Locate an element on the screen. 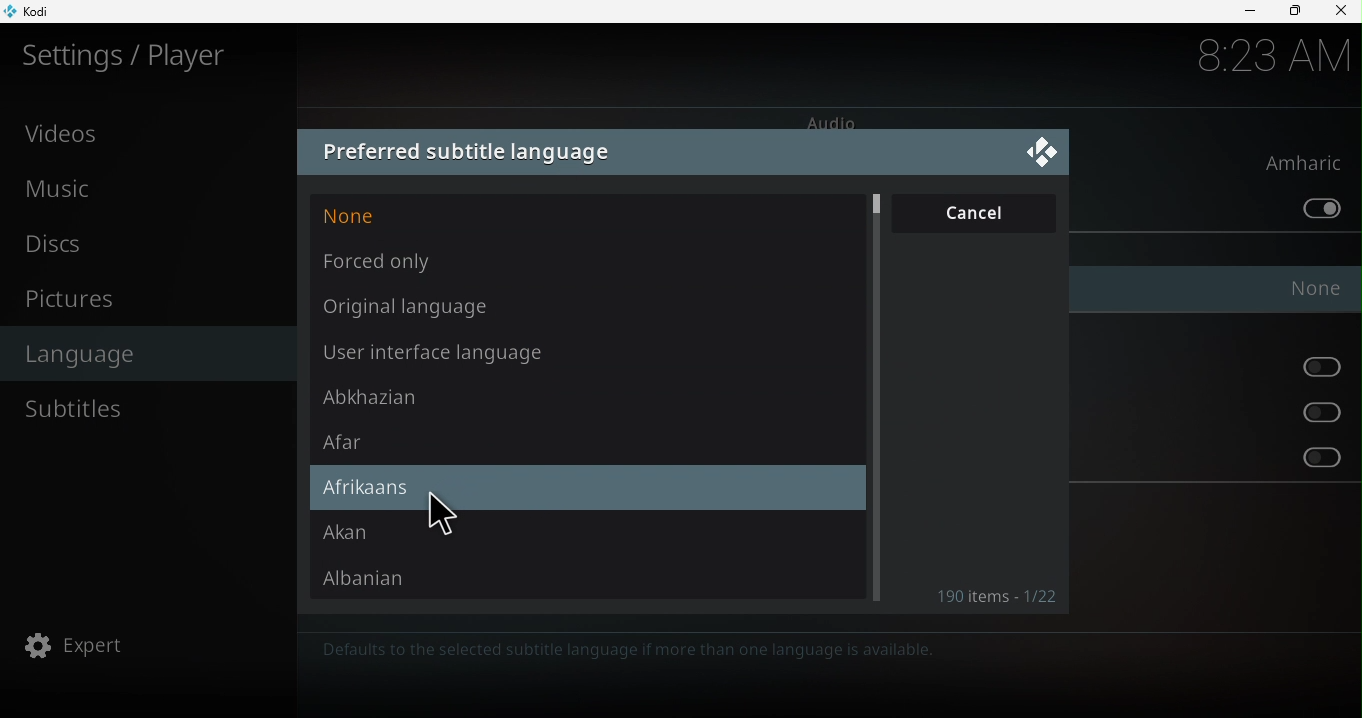  Preferred subtitle language is located at coordinates (474, 153).